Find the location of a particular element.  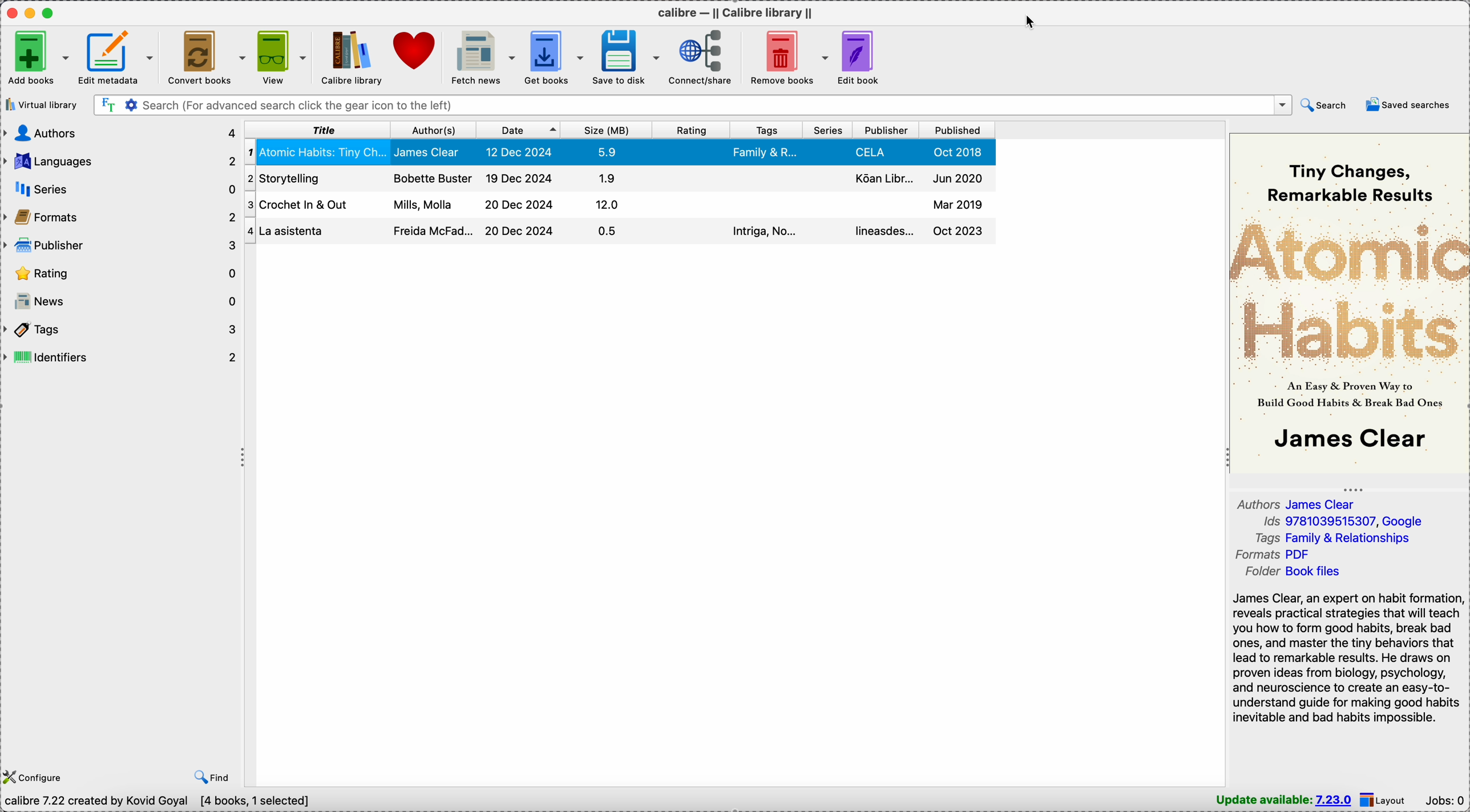

search is located at coordinates (1323, 106).